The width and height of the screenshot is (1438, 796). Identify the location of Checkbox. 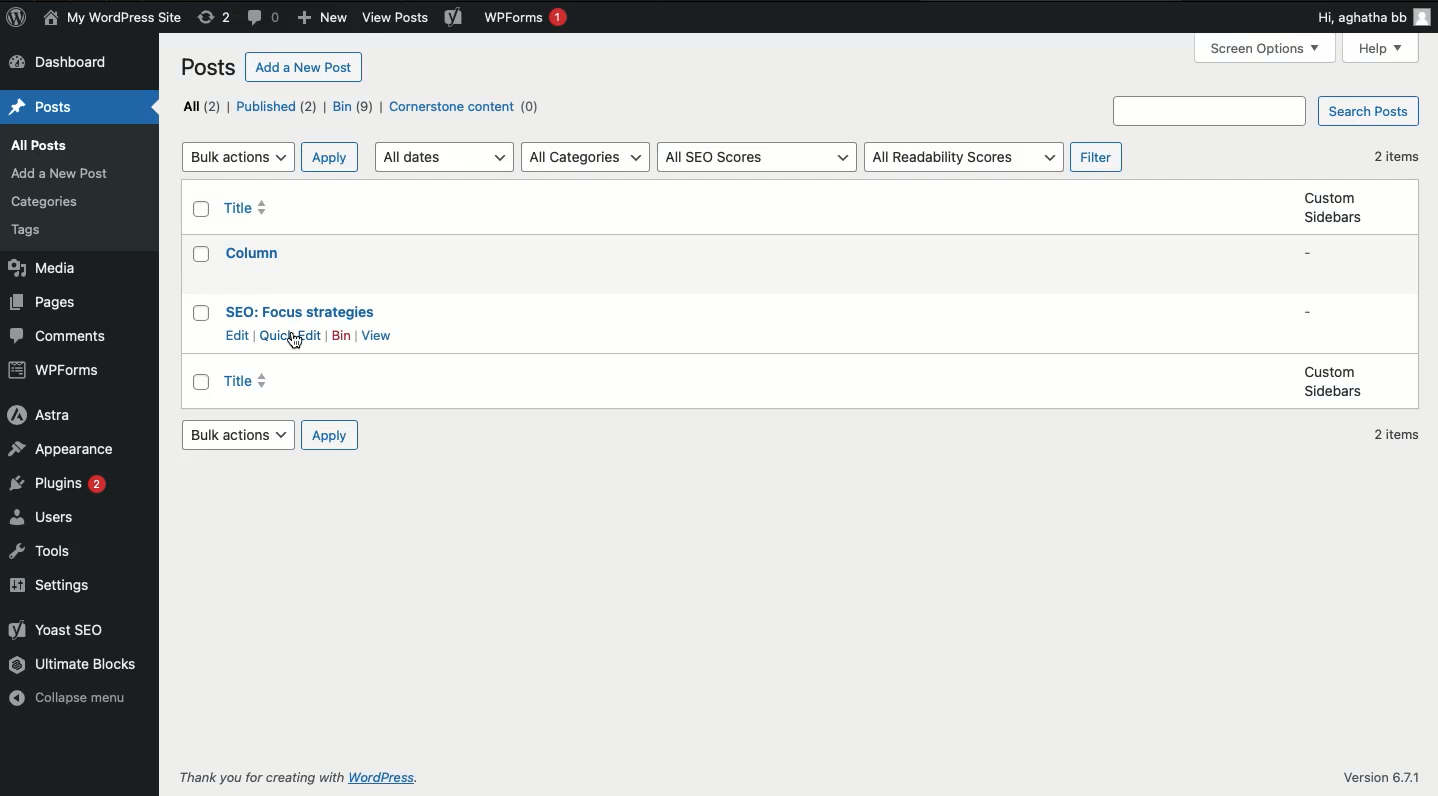
(203, 383).